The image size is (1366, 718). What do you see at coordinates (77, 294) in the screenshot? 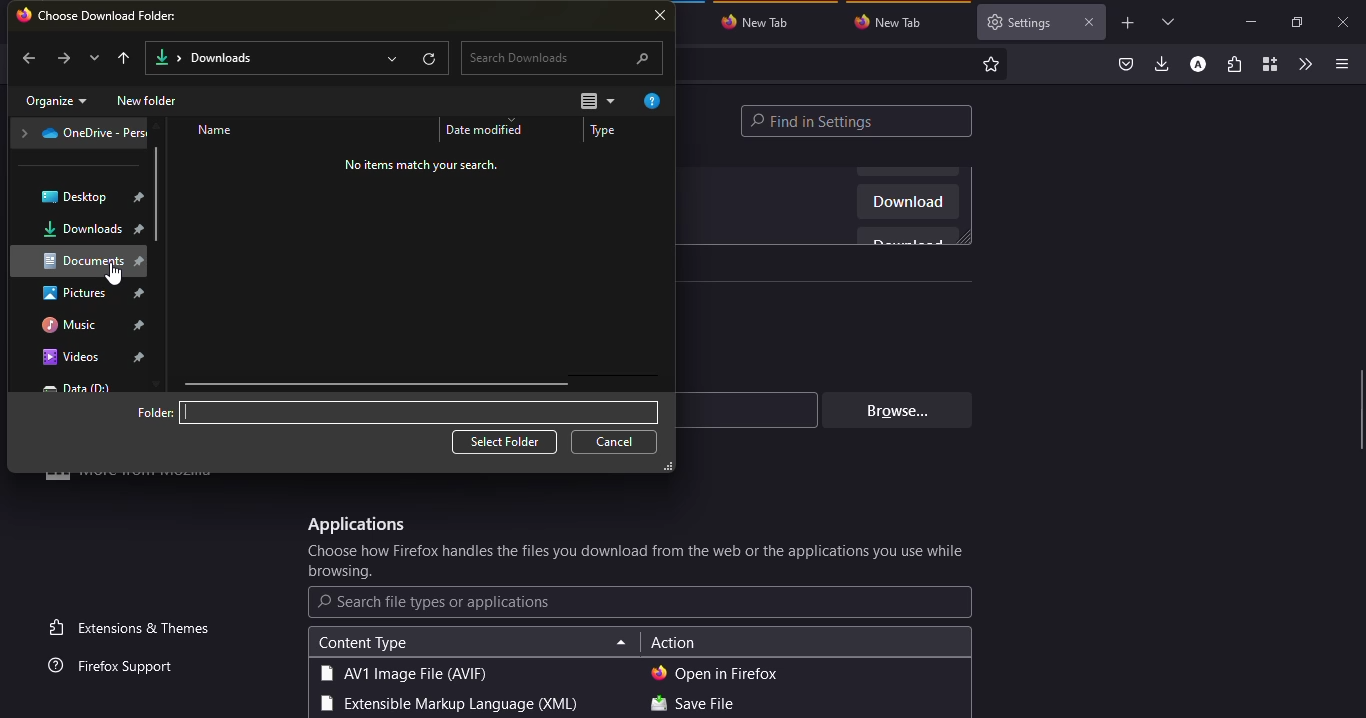
I see `location` at bounding box center [77, 294].